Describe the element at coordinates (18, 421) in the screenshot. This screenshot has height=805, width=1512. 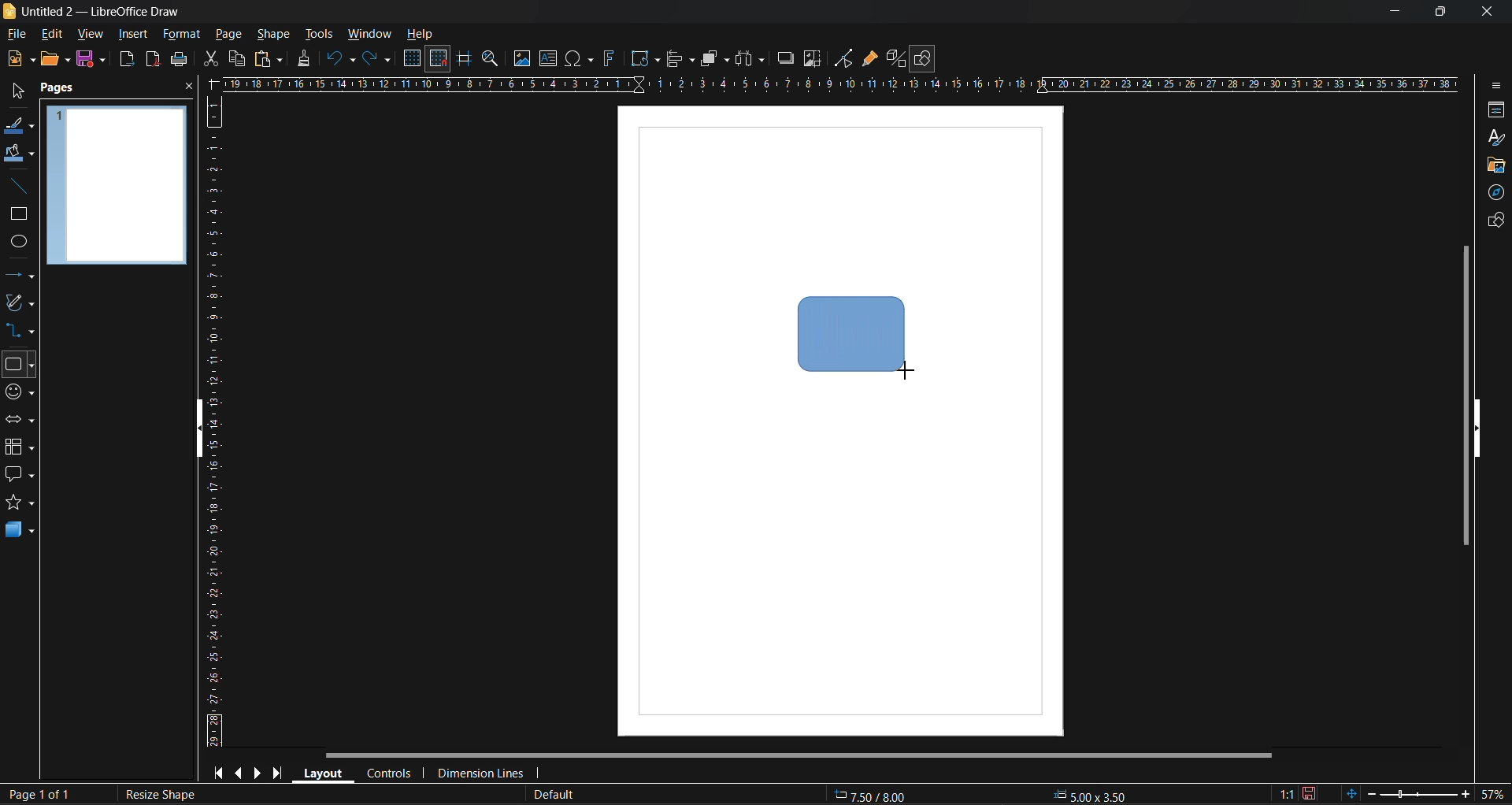
I see `block arrows` at that location.